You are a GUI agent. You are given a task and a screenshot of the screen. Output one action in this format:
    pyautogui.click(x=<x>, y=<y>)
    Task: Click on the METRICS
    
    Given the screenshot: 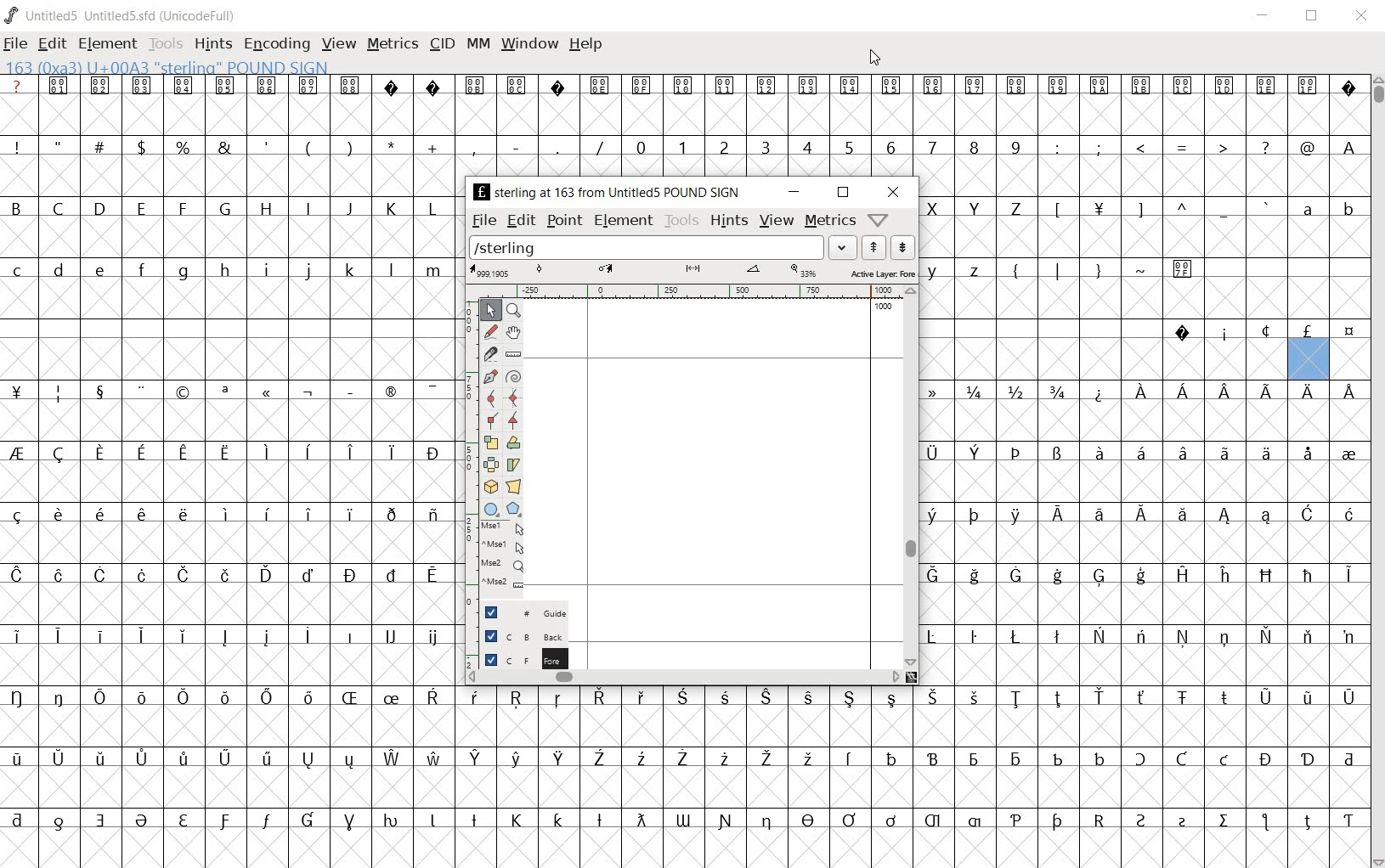 What is the action you would take?
    pyautogui.click(x=391, y=46)
    